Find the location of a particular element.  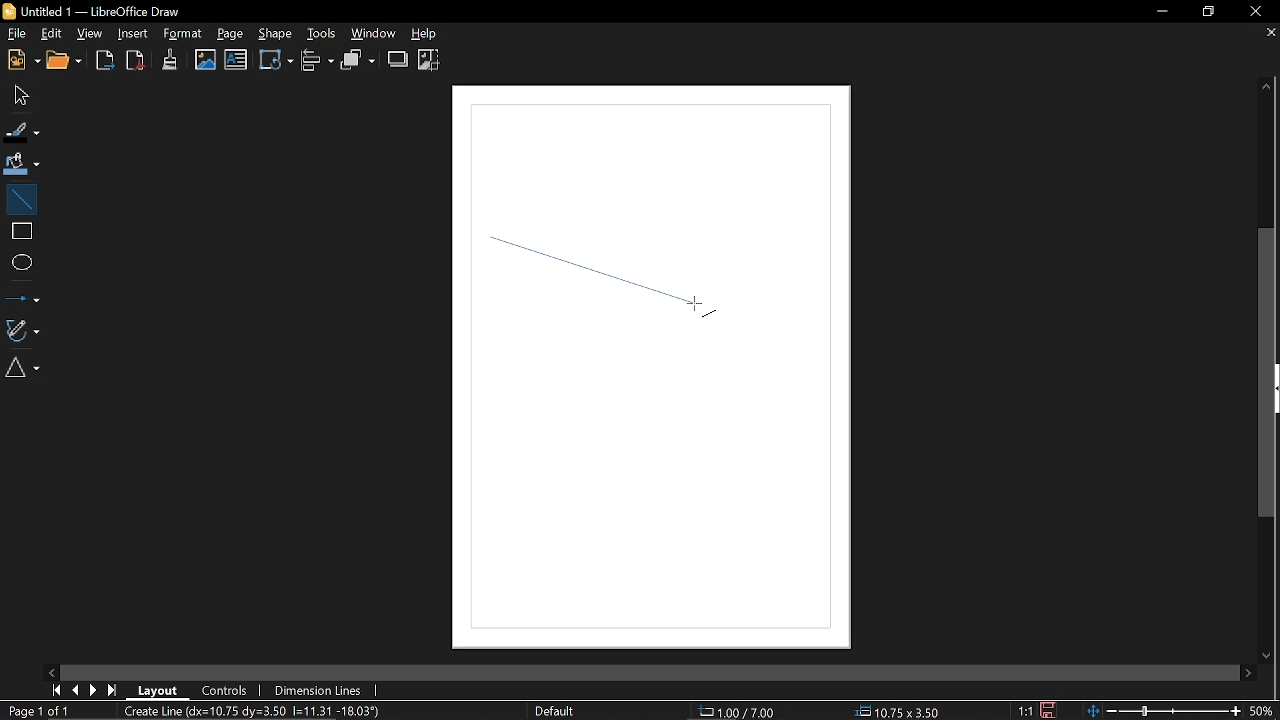

Close page is located at coordinates (1266, 34).